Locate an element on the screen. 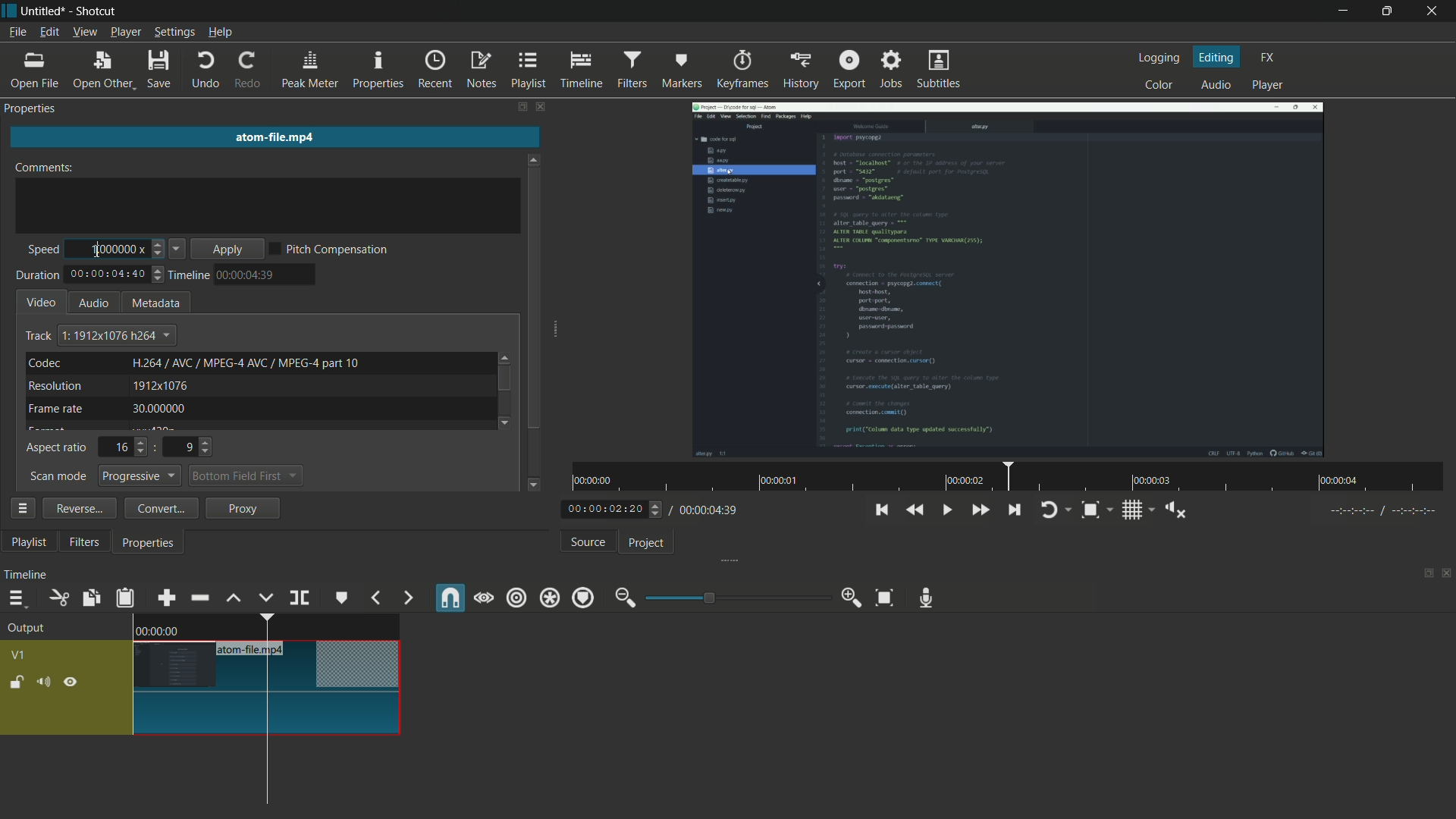 The image size is (1456, 819). skip to the next point is located at coordinates (1014, 511).